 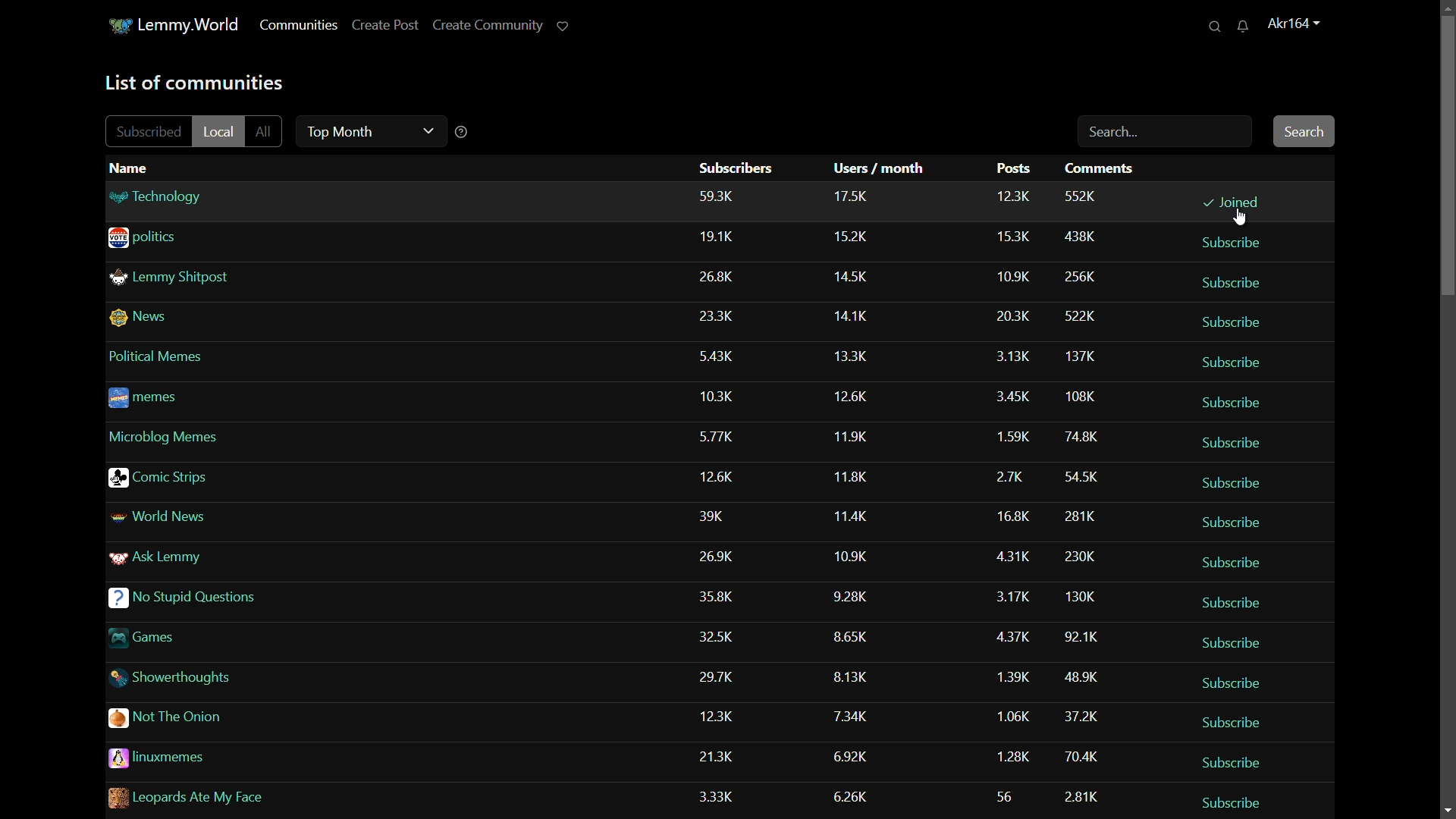 What do you see at coordinates (300, 759) in the screenshot?
I see `communities name` at bounding box center [300, 759].